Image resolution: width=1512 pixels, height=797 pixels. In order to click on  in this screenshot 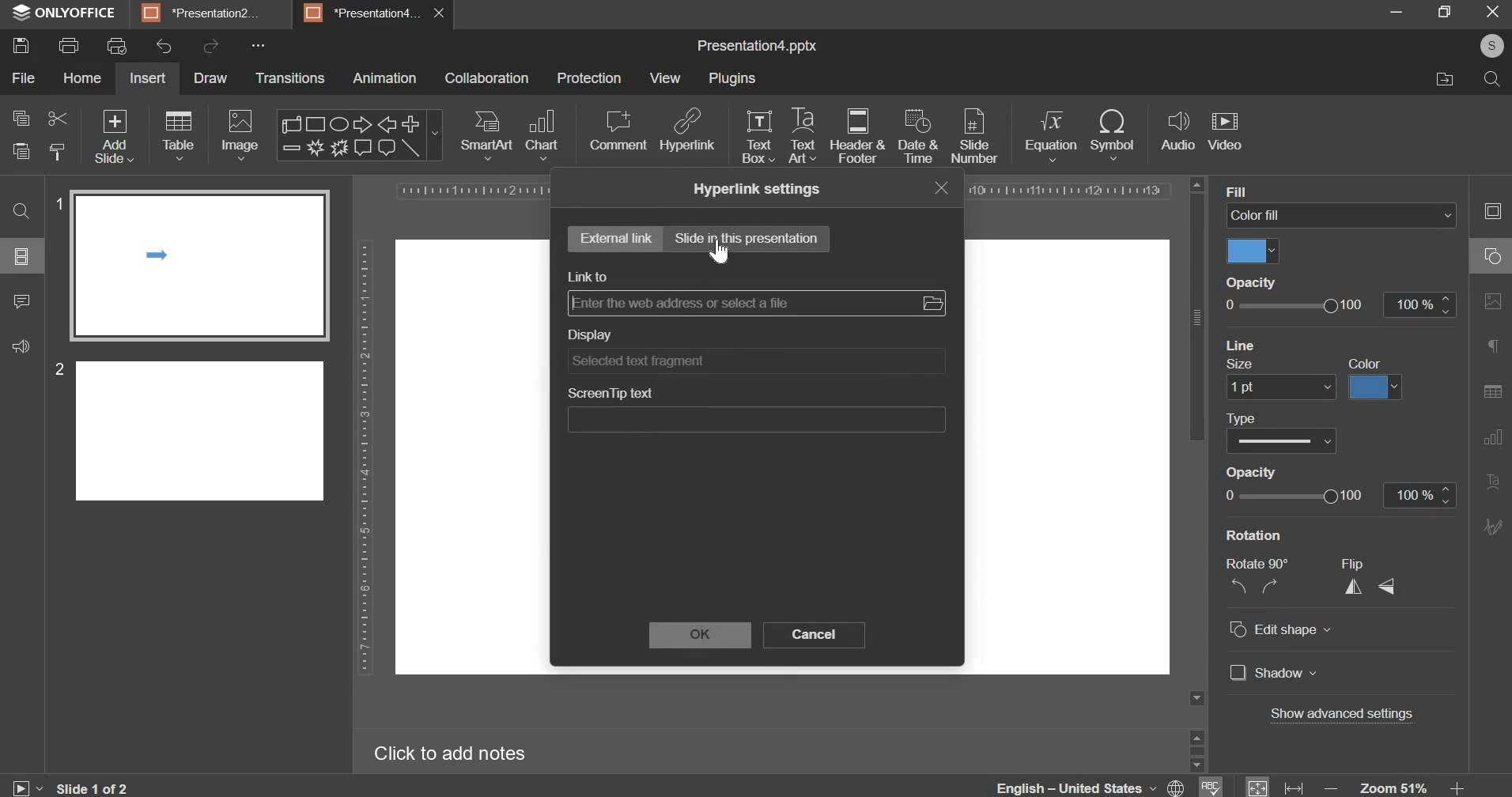, I will do `click(1272, 387)`.